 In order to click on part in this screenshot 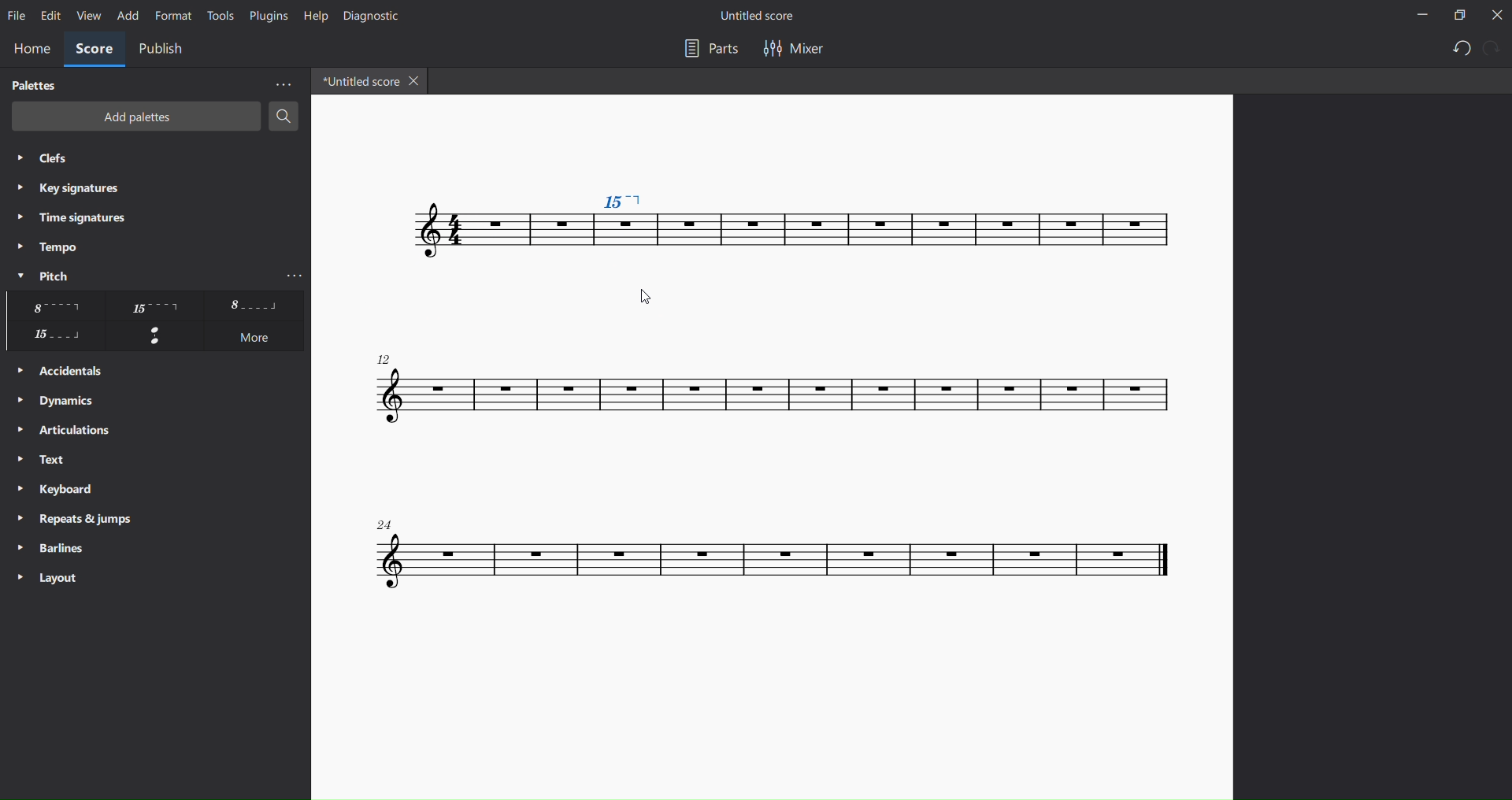, I will do `click(710, 52)`.